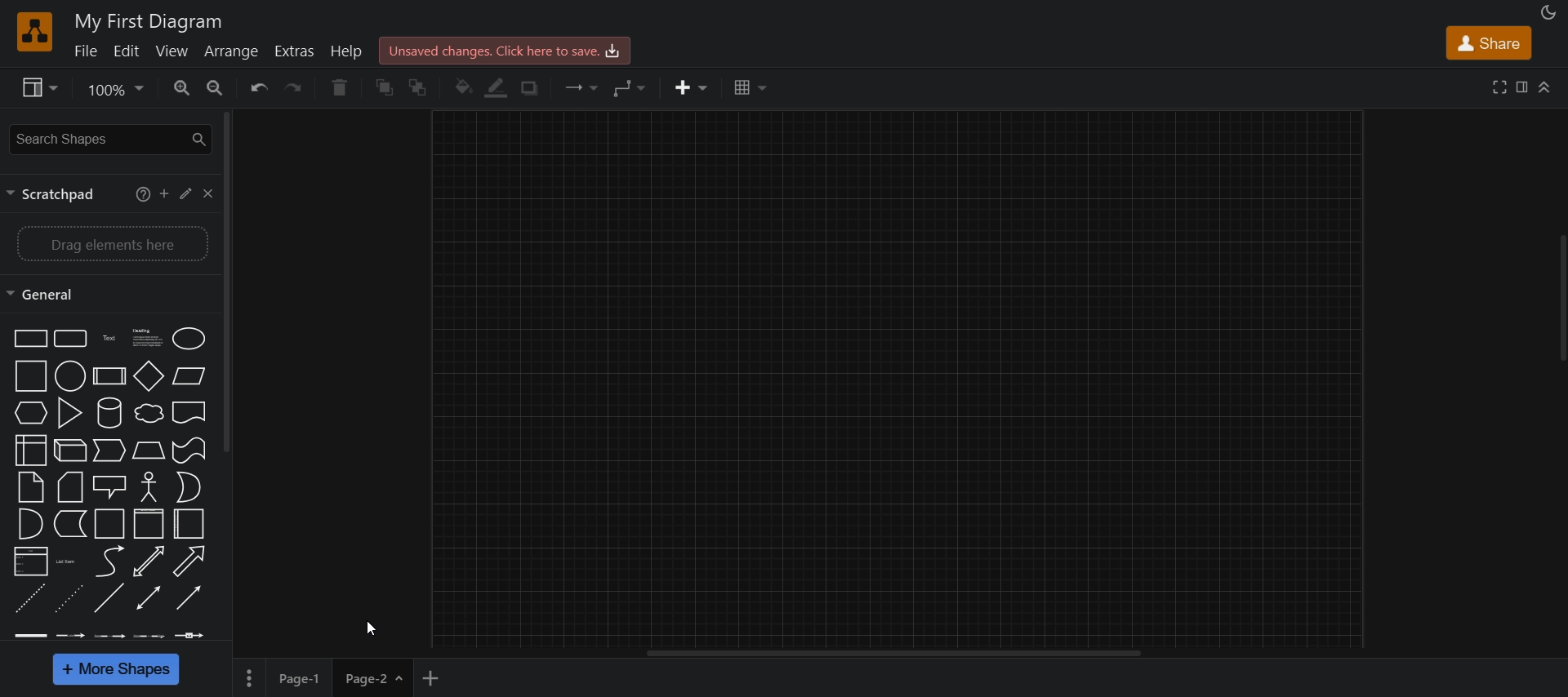  I want to click on click here to save, so click(508, 49).